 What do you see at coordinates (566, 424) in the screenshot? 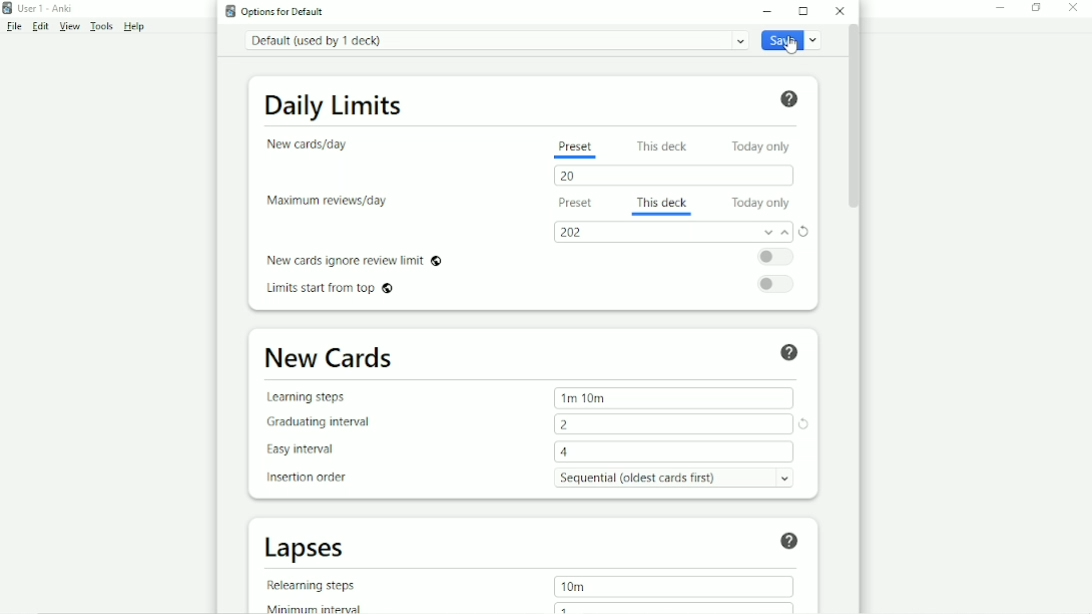
I see `2` at bounding box center [566, 424].